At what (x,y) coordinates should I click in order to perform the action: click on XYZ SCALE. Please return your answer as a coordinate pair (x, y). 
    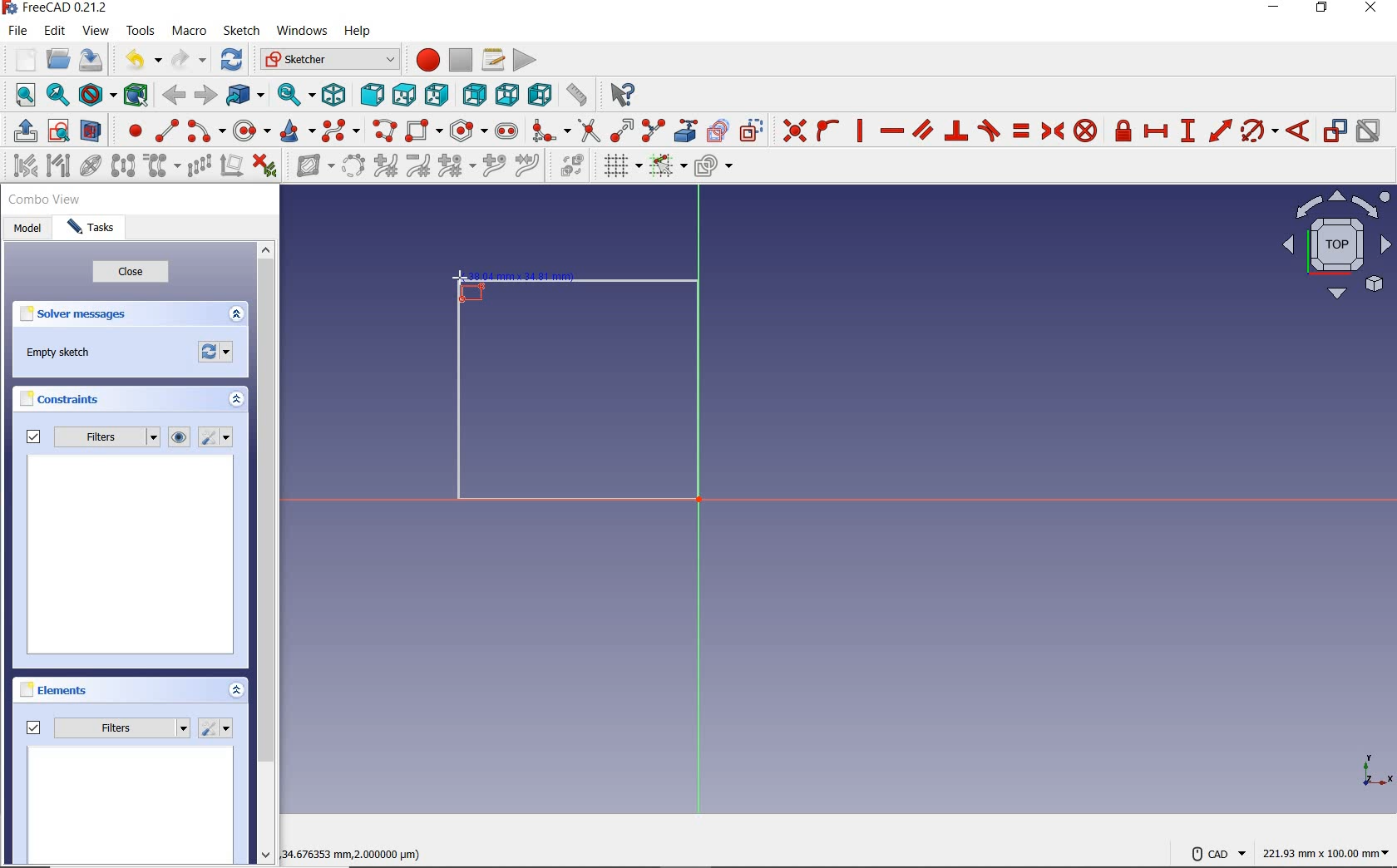
    Looking at the image, I should click on (1376, 771).